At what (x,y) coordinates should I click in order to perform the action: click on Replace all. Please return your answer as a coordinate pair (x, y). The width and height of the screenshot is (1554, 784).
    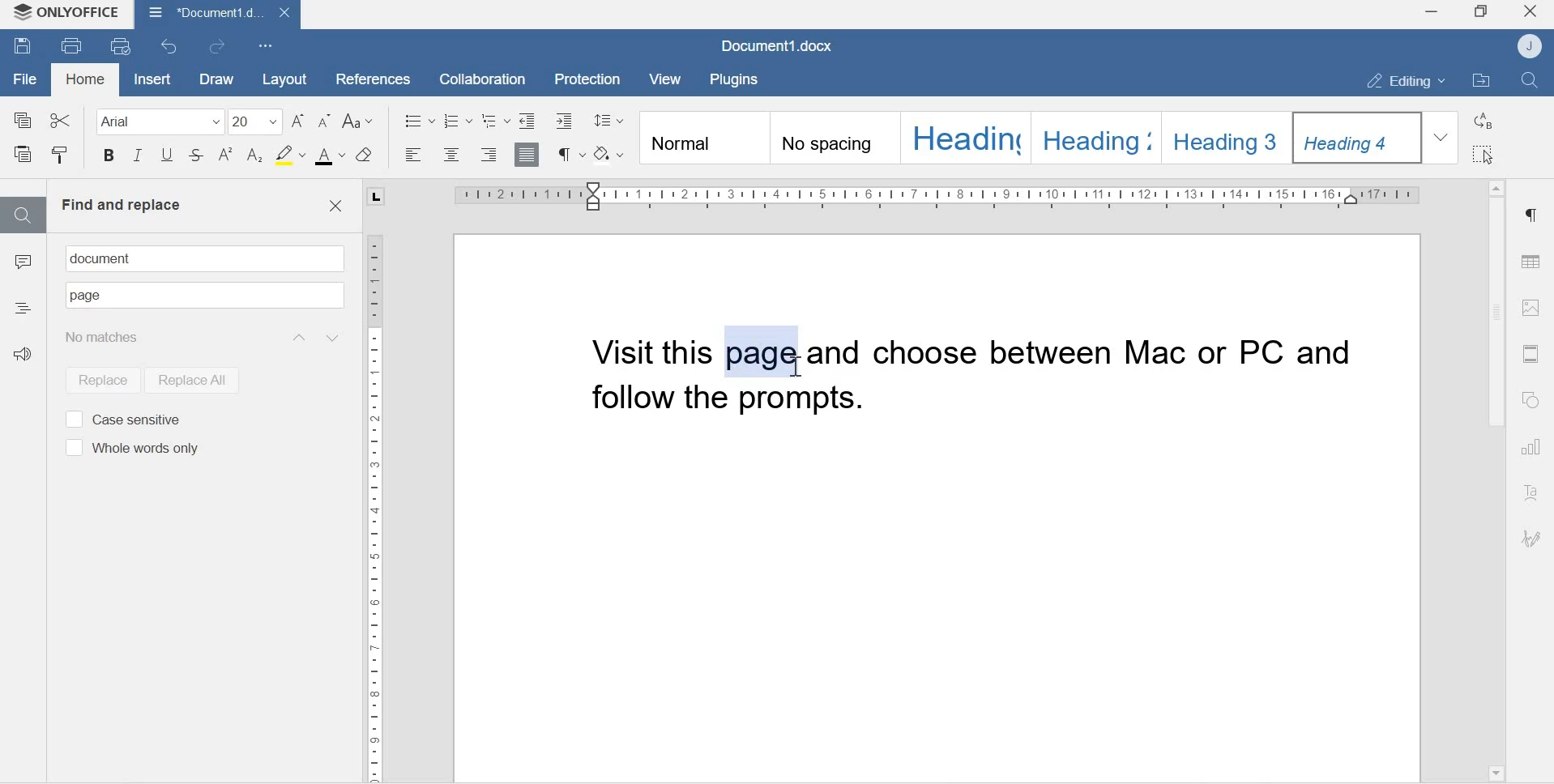
    Looking at the image, I should click on (190, 379).